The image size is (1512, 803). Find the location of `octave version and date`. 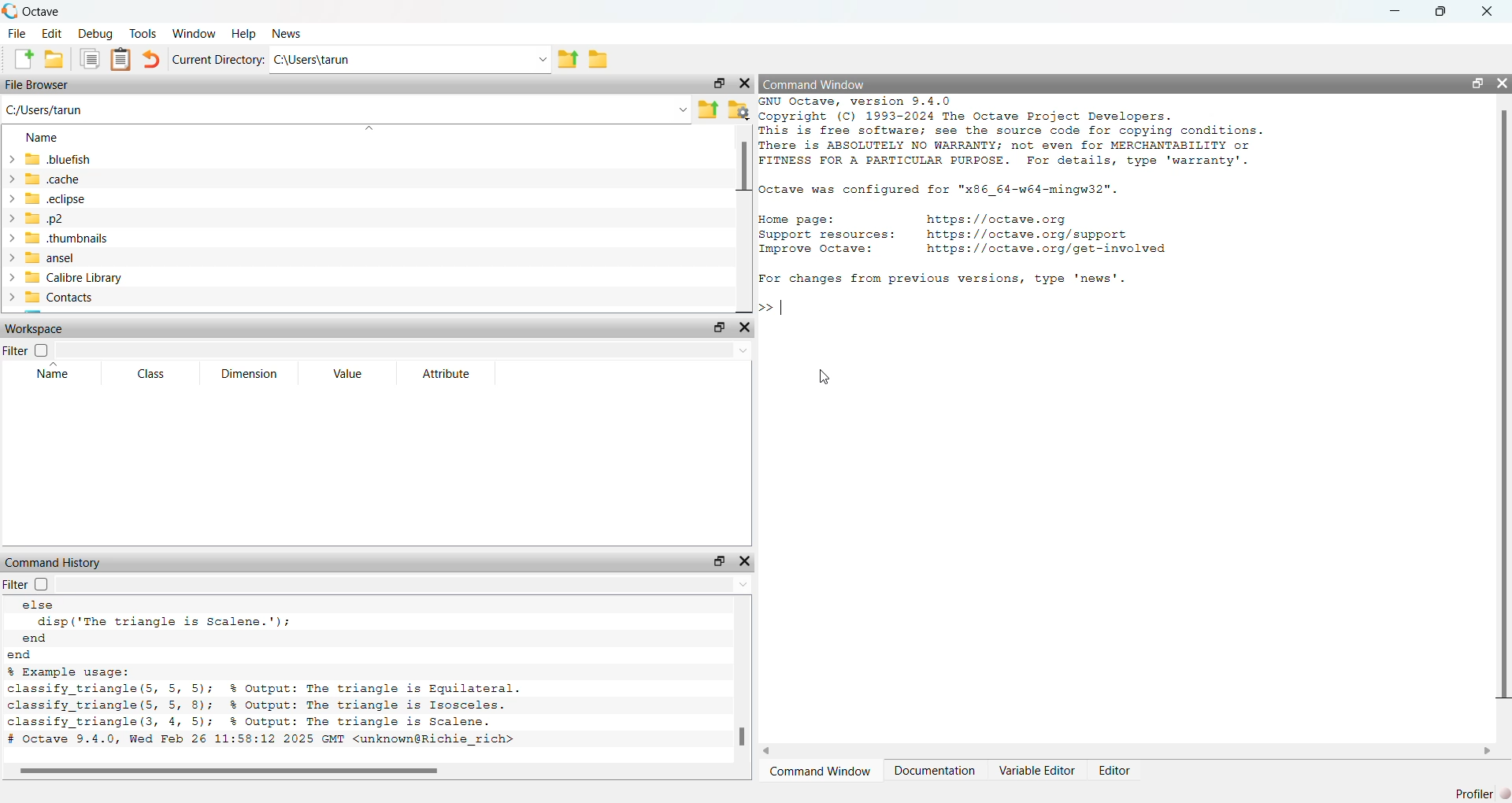

octave version and date is located at coordinates (268, 742).